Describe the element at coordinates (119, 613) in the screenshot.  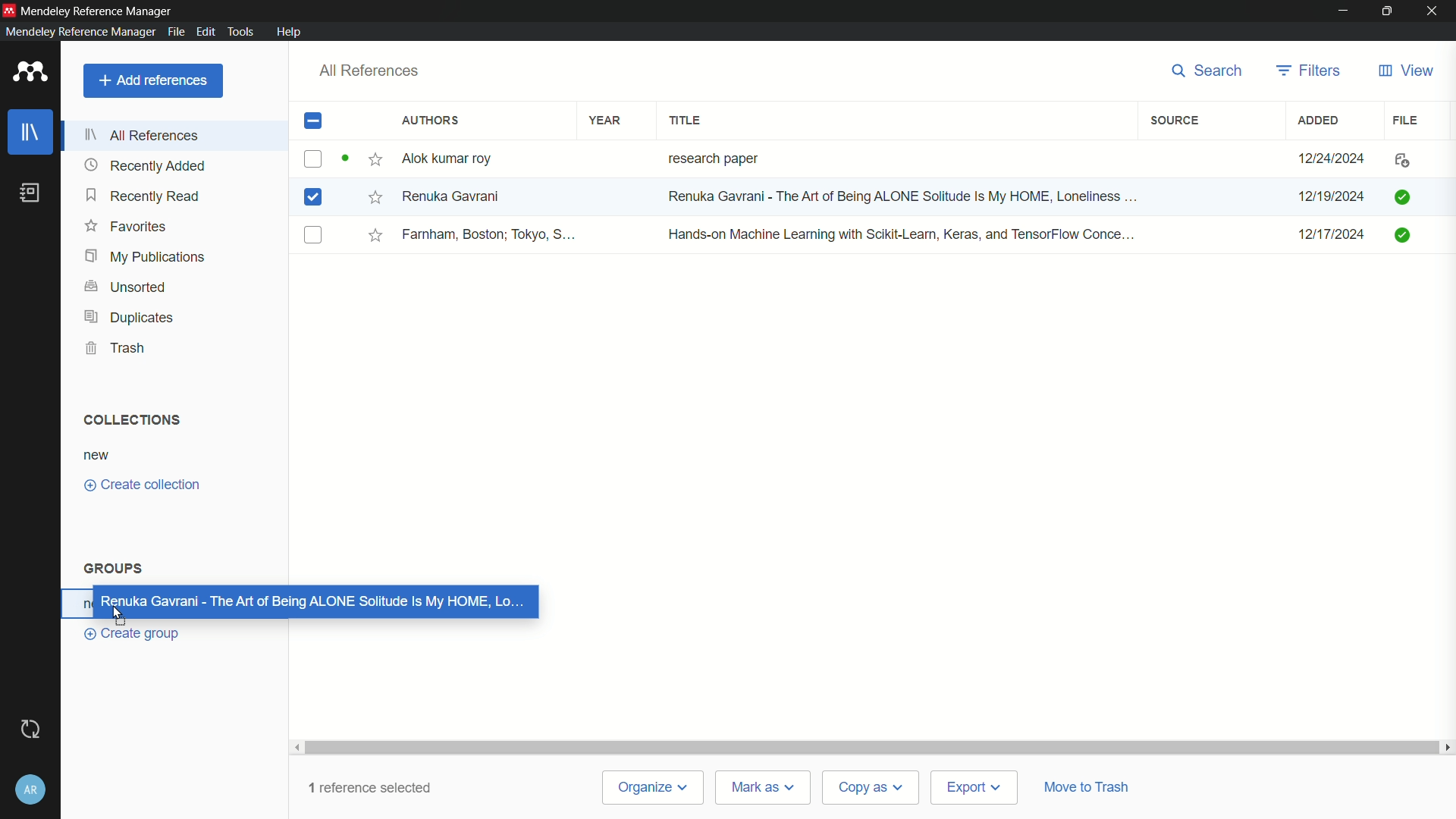
I see `cursor` at that location.